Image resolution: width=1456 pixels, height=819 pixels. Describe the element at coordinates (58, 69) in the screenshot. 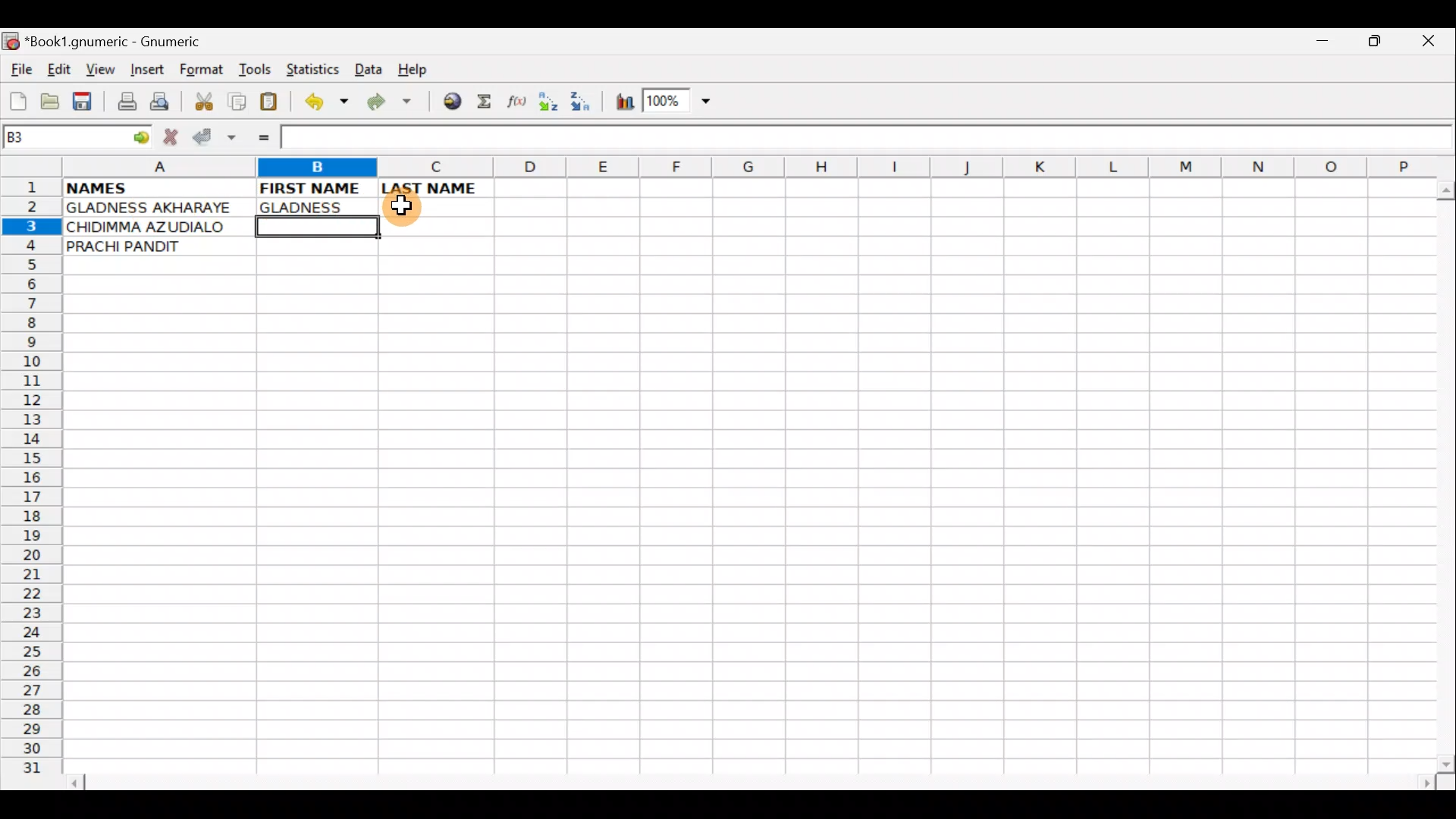

I see `Edit` at that location.